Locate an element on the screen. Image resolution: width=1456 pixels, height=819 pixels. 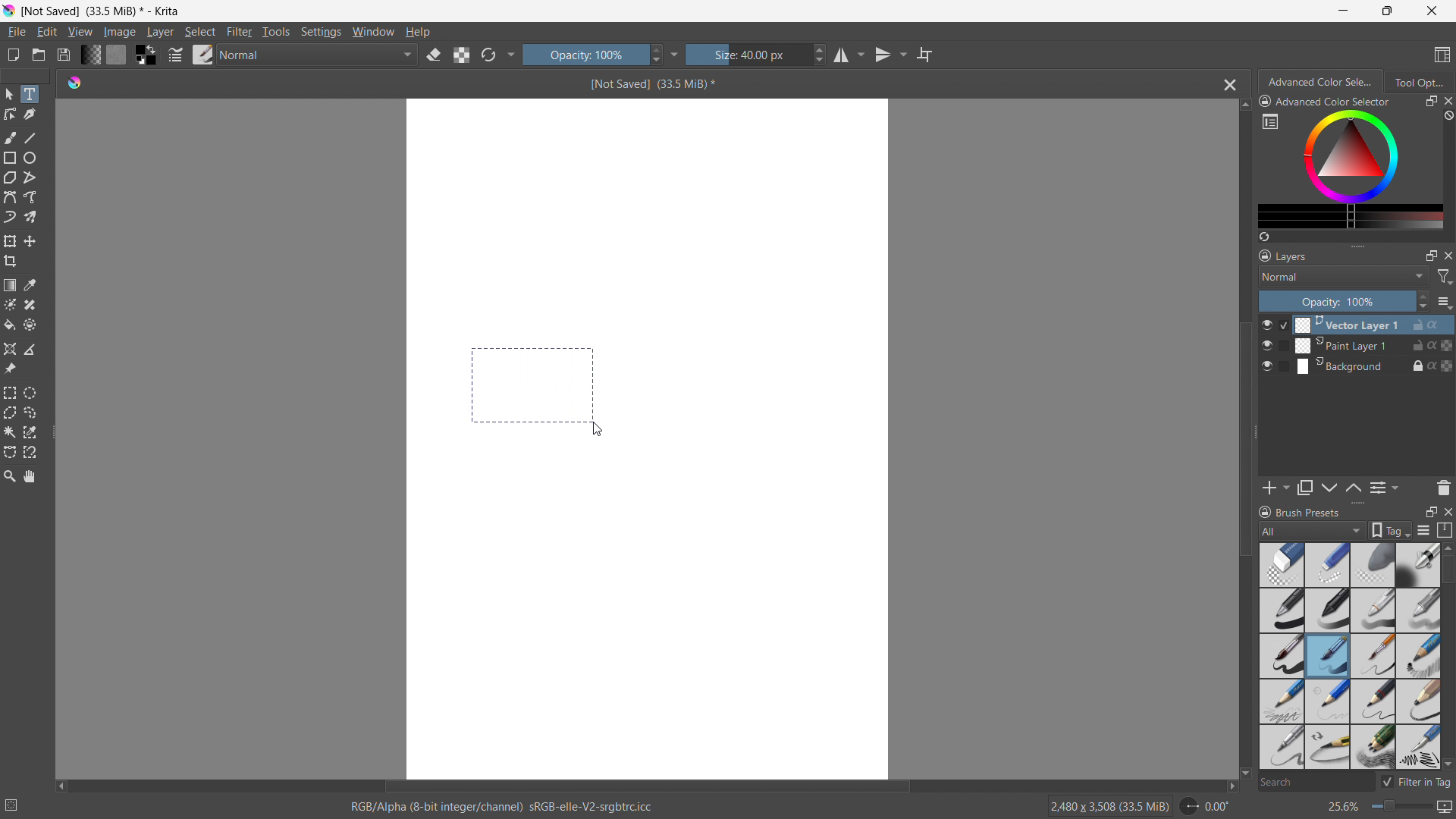
delete layer is located at coordinates (1443, 487).